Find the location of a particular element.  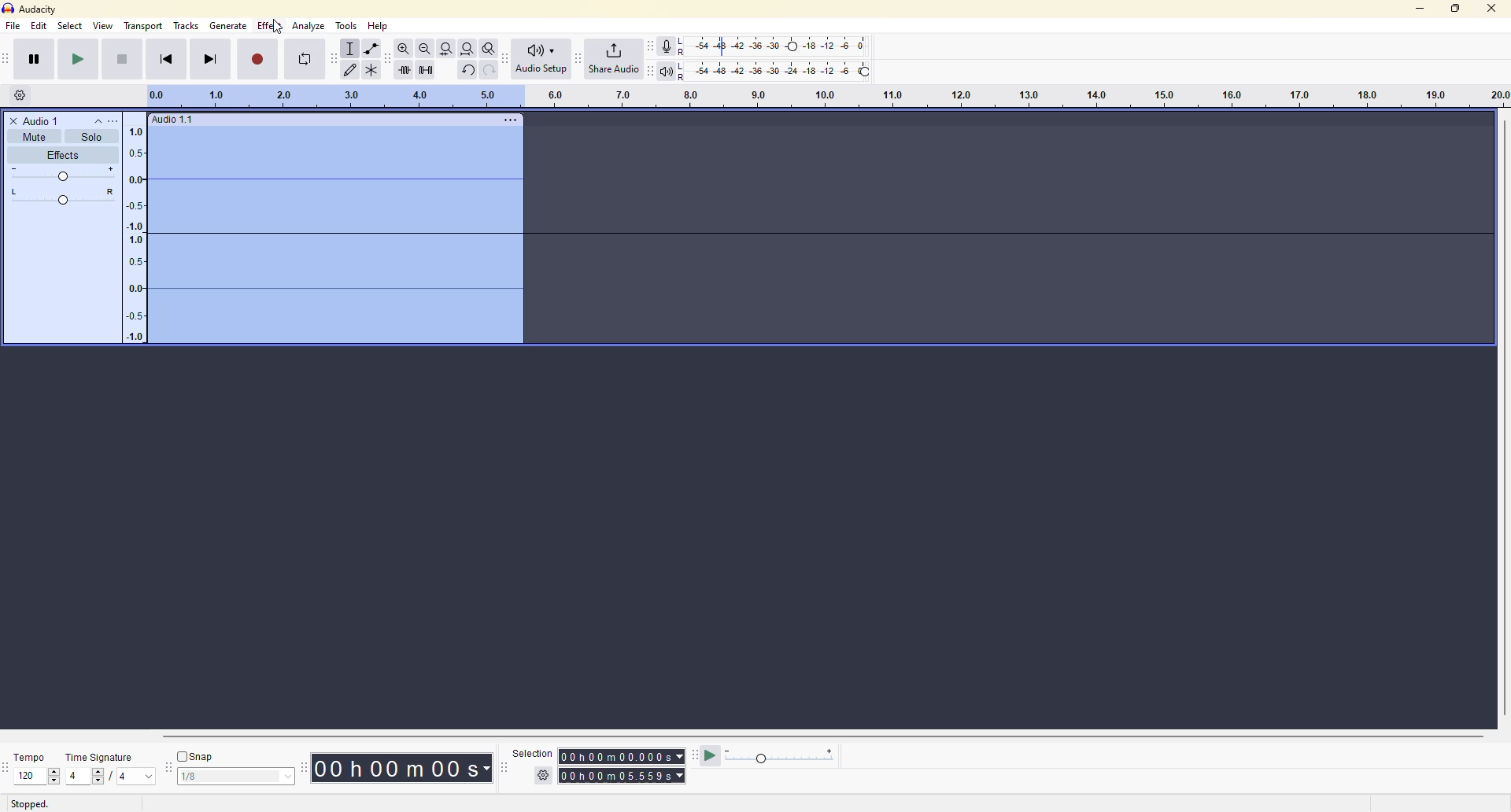

time toolbar is located at coordinates (307, 766).